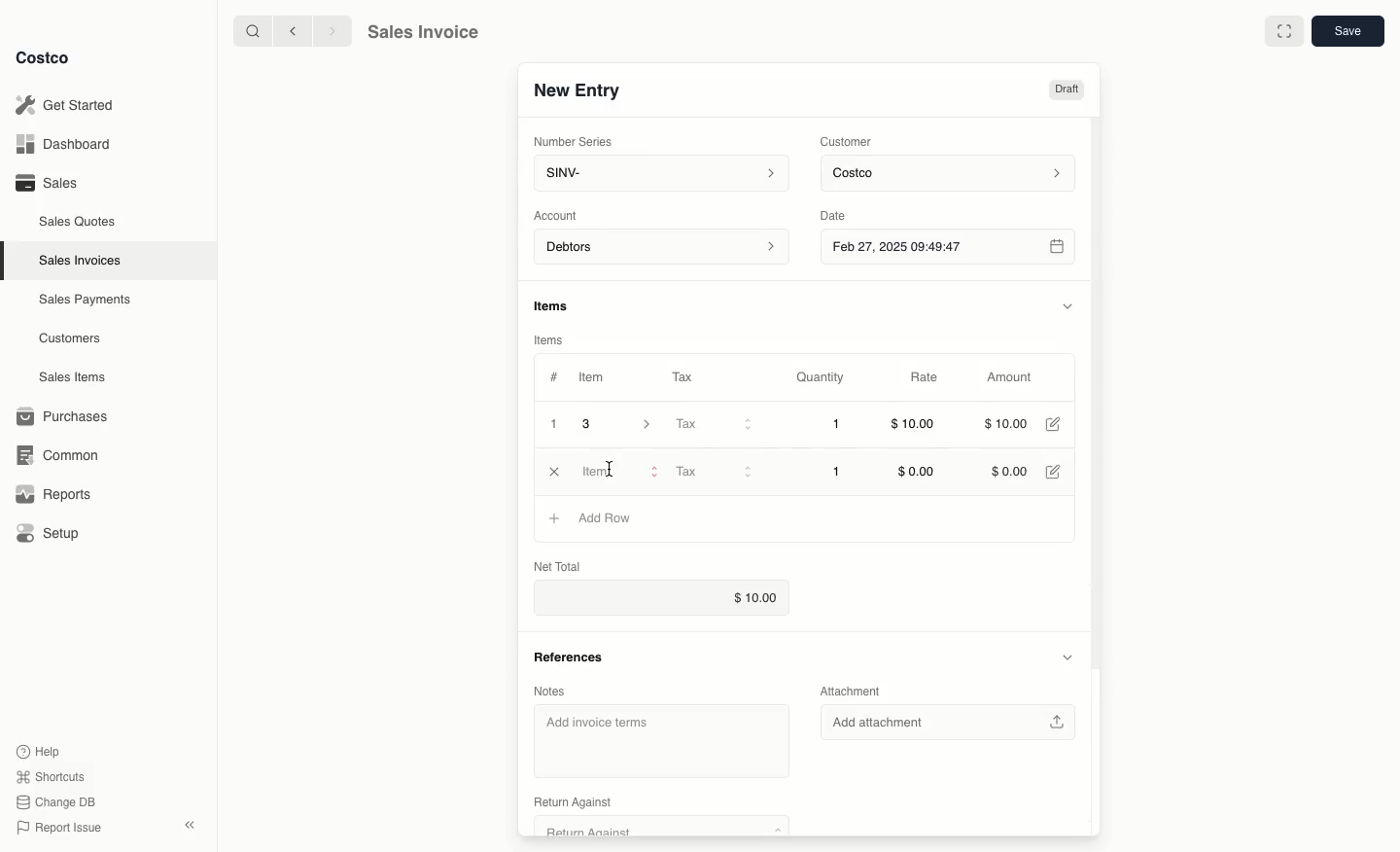  I want to click on Costco, so click(951, 174).